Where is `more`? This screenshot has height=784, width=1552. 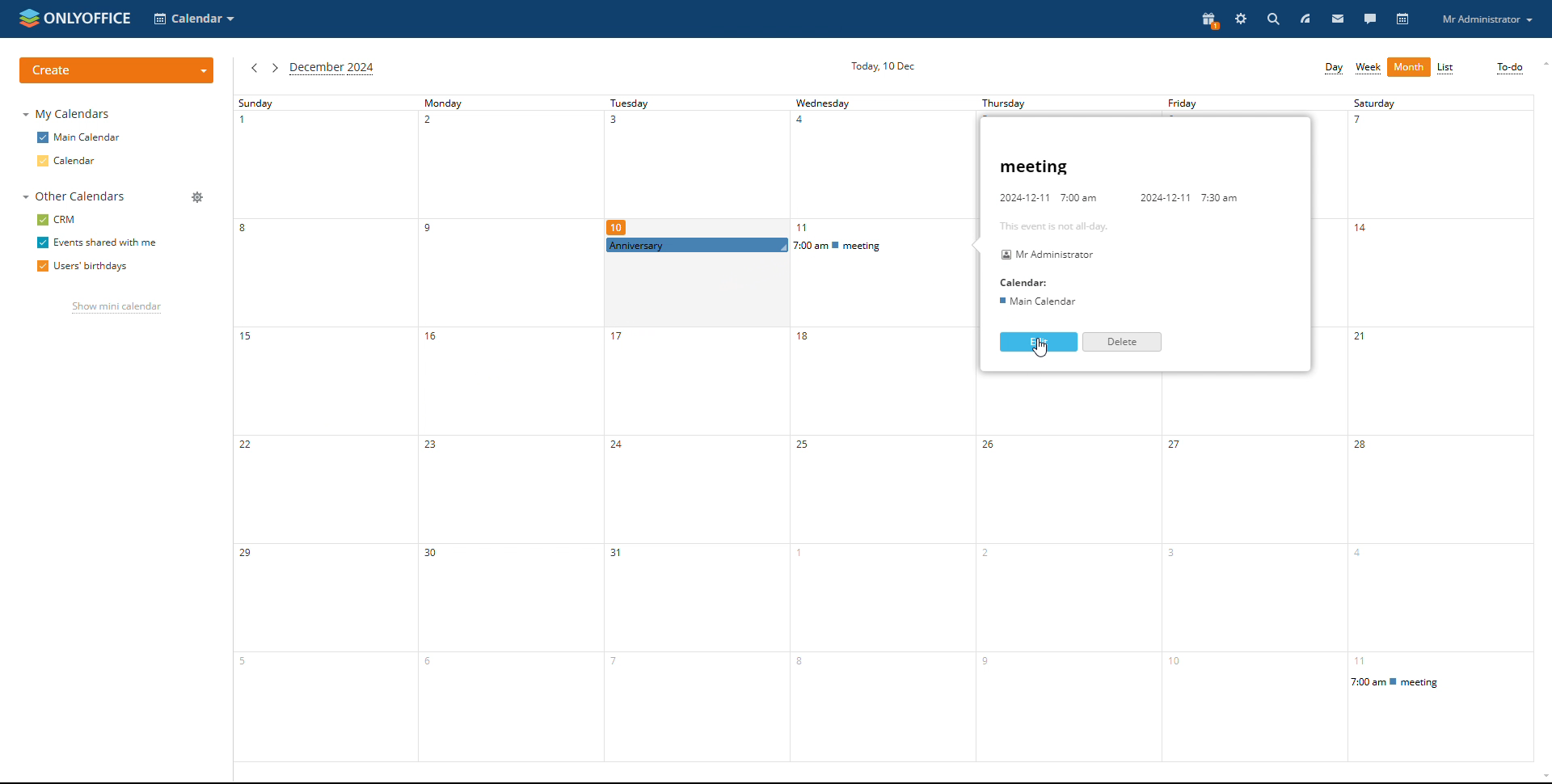
more is located at coordinates (1409, 70).